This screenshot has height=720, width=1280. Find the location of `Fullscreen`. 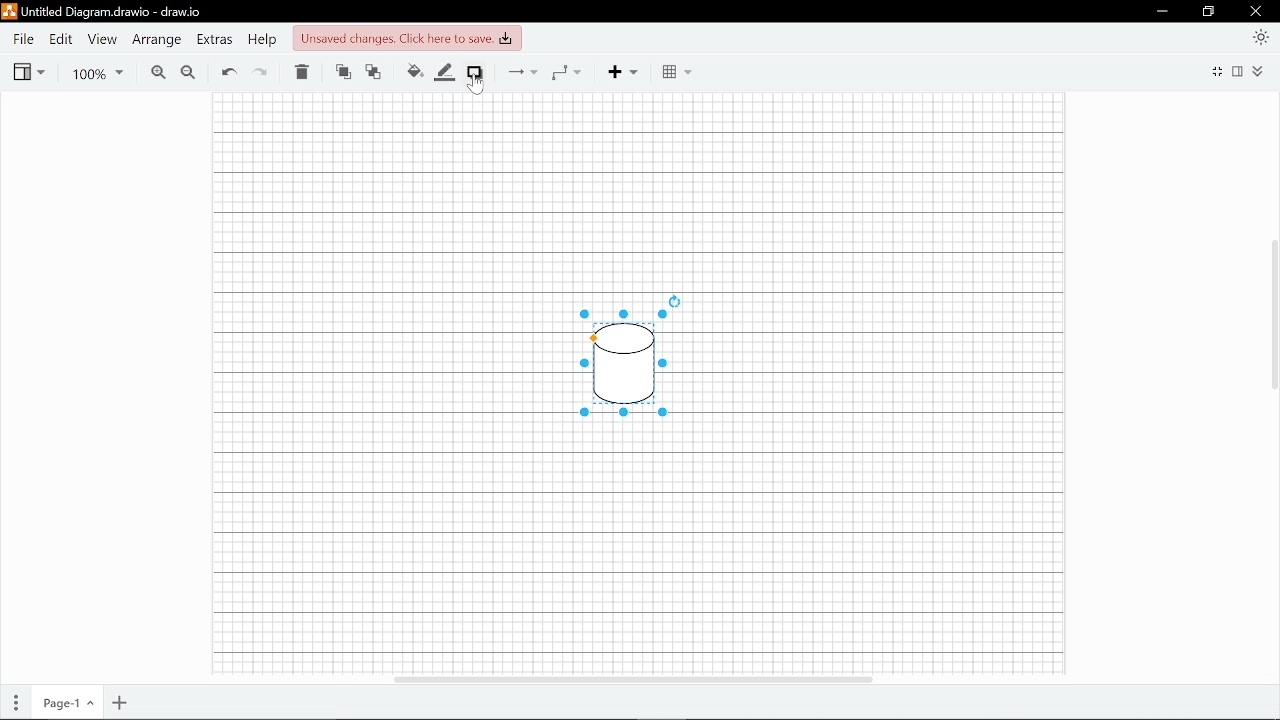

Fullscreen is located at coordinates (1218, 70).